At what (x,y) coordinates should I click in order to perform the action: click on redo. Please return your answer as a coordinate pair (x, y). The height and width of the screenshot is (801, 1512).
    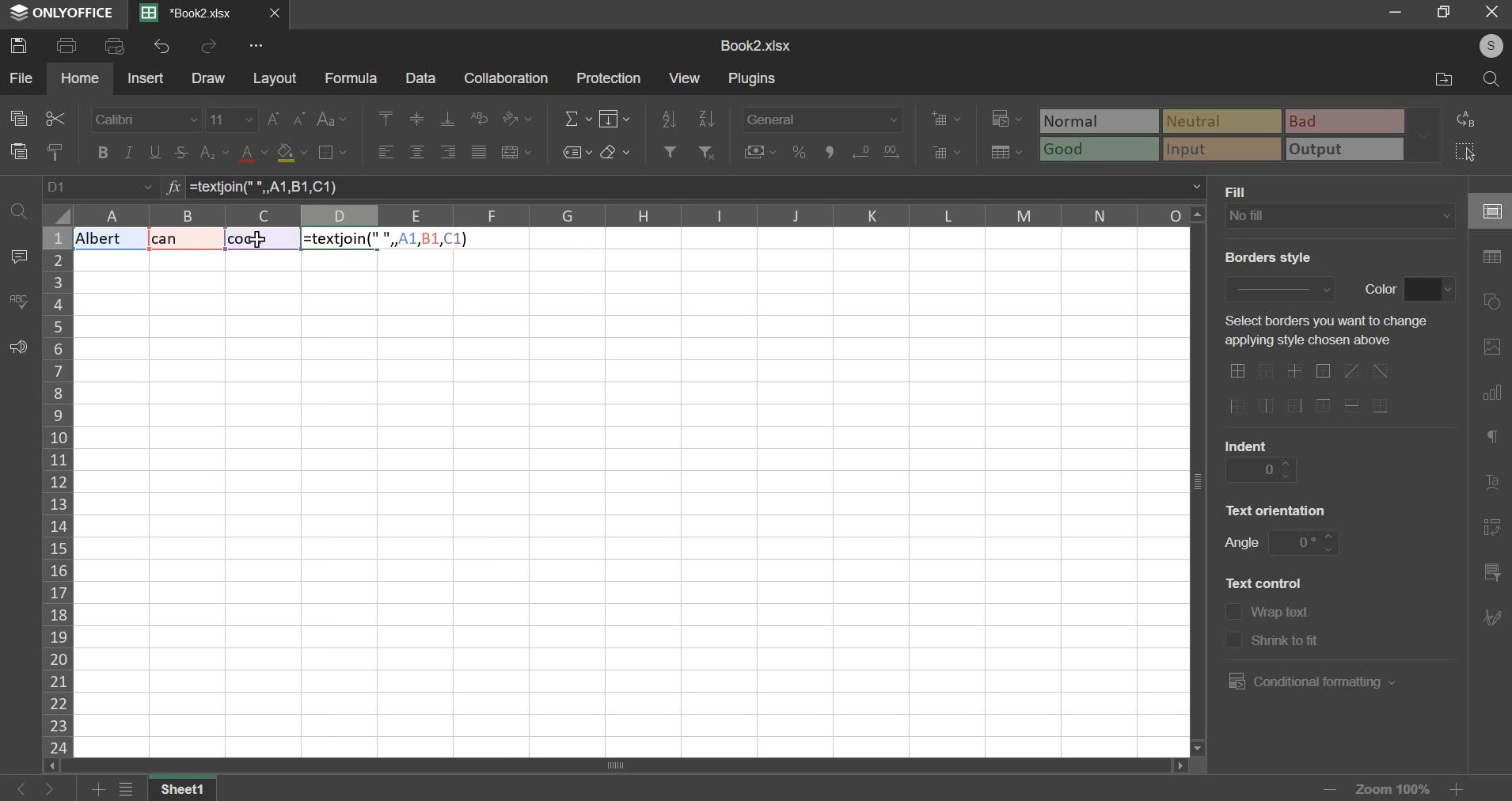
    Looking at the image, I should click on (211, 47).